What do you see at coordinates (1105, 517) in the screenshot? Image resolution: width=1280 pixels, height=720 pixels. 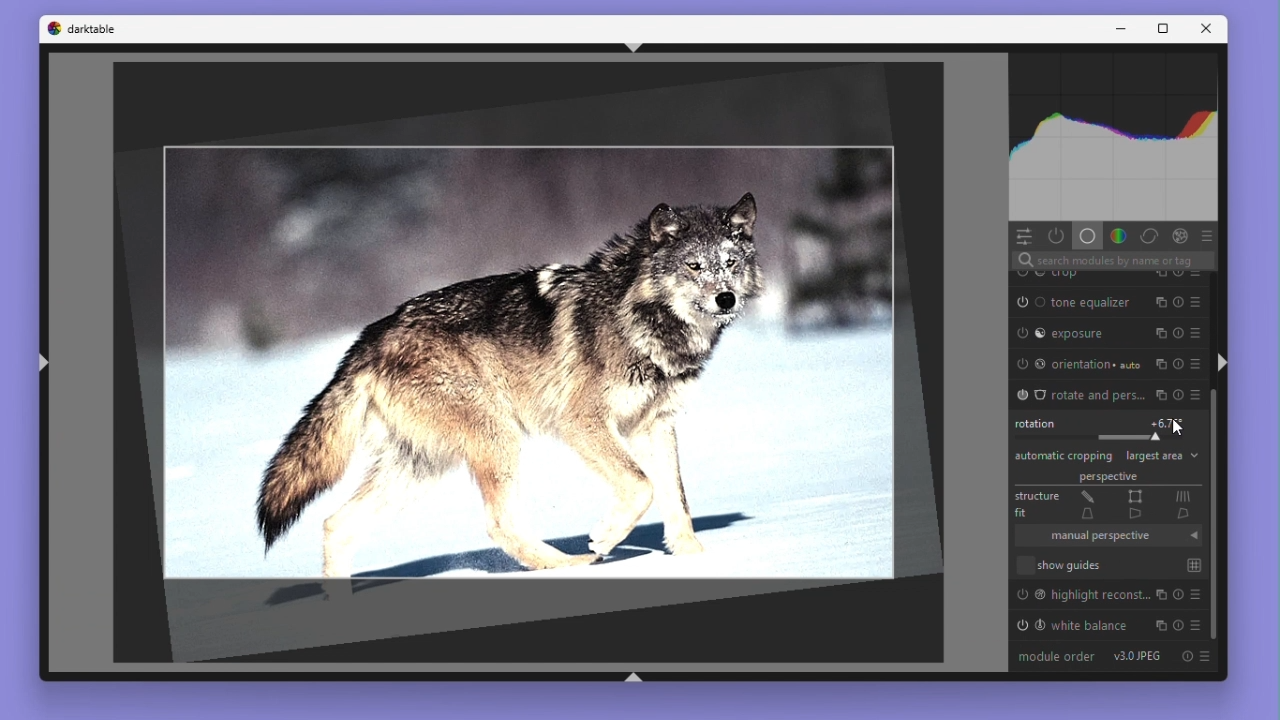 I see `Fit ` at bounding box center [1105, 517].